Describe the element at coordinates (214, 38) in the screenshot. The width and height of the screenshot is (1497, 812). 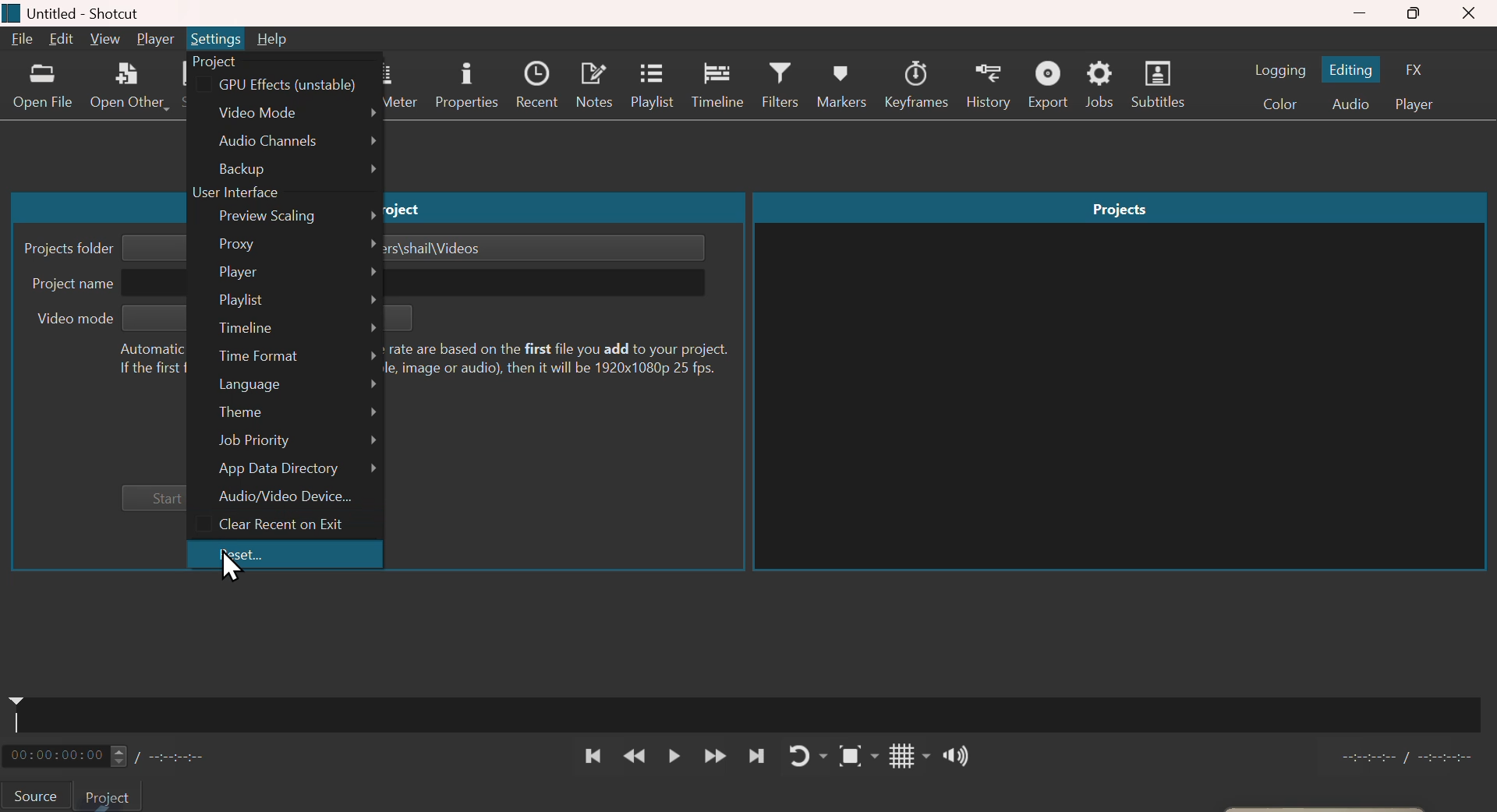
I see `Settings` at that location.